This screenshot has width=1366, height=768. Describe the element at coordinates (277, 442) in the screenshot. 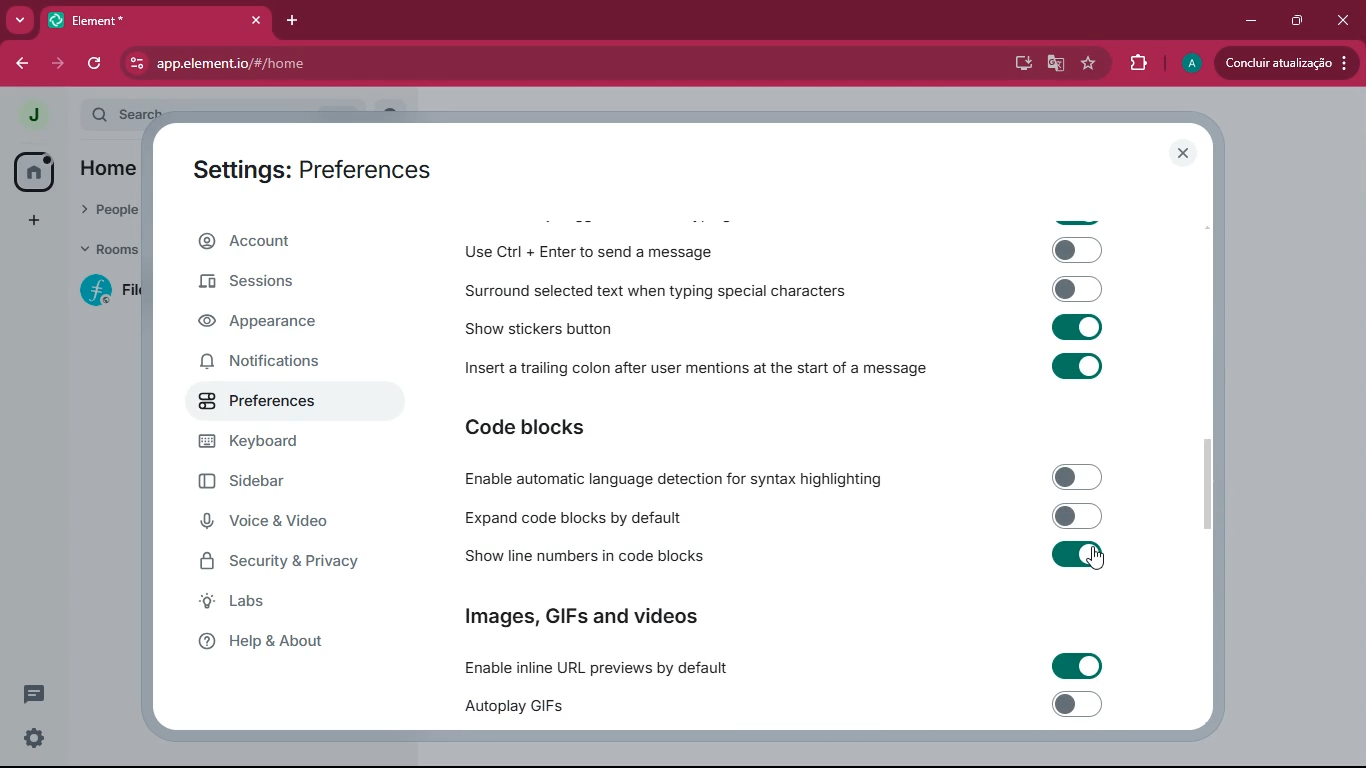

I see `keyboard` at that location.